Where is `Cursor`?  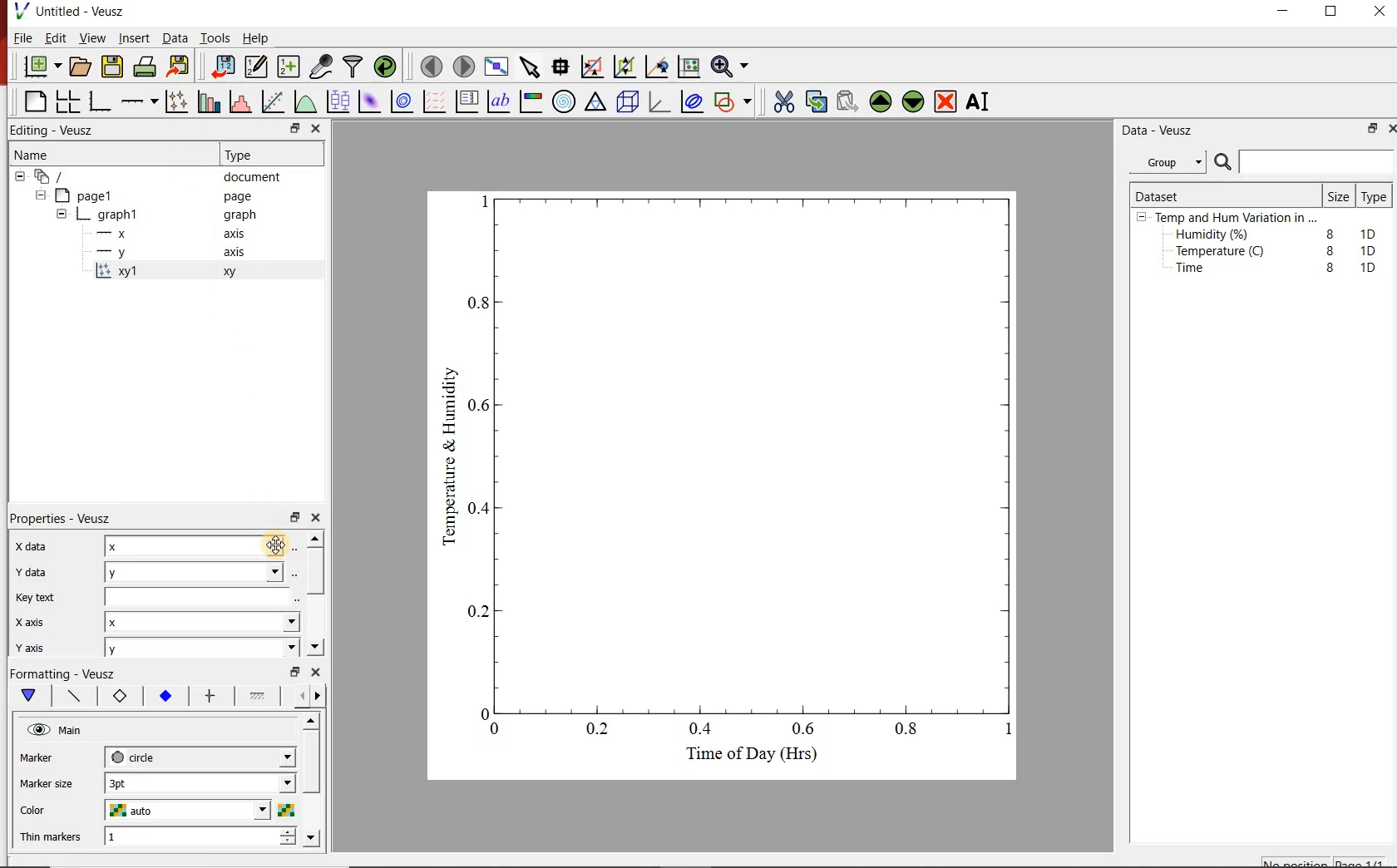 Cursor is located at coordinates (244, 544).